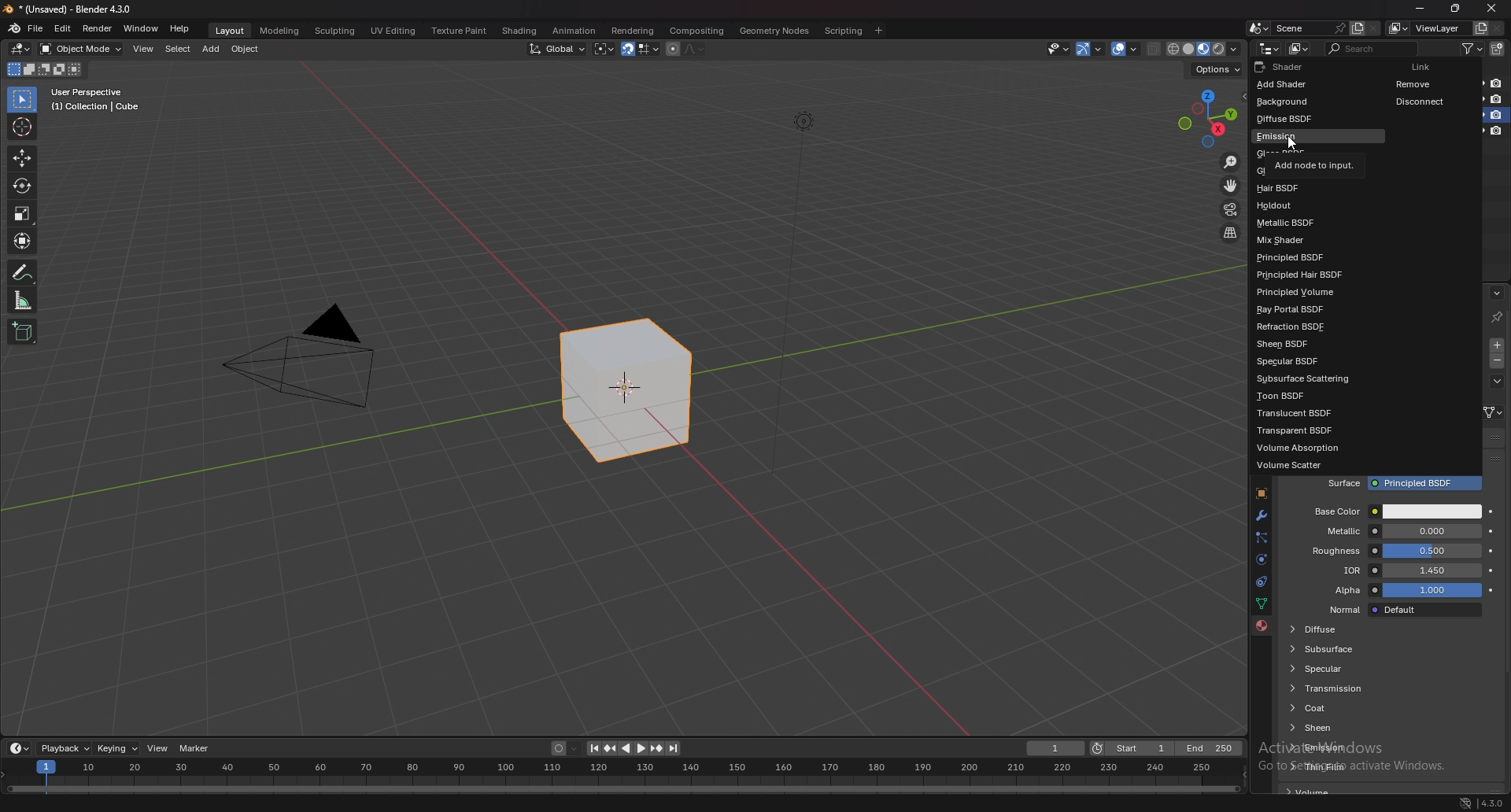 This screenshot has width=1511, height=812. What do you see at coordinates (1396, 531) in the screenshot?
I see `metallic` at bounding box center [1396, 531].